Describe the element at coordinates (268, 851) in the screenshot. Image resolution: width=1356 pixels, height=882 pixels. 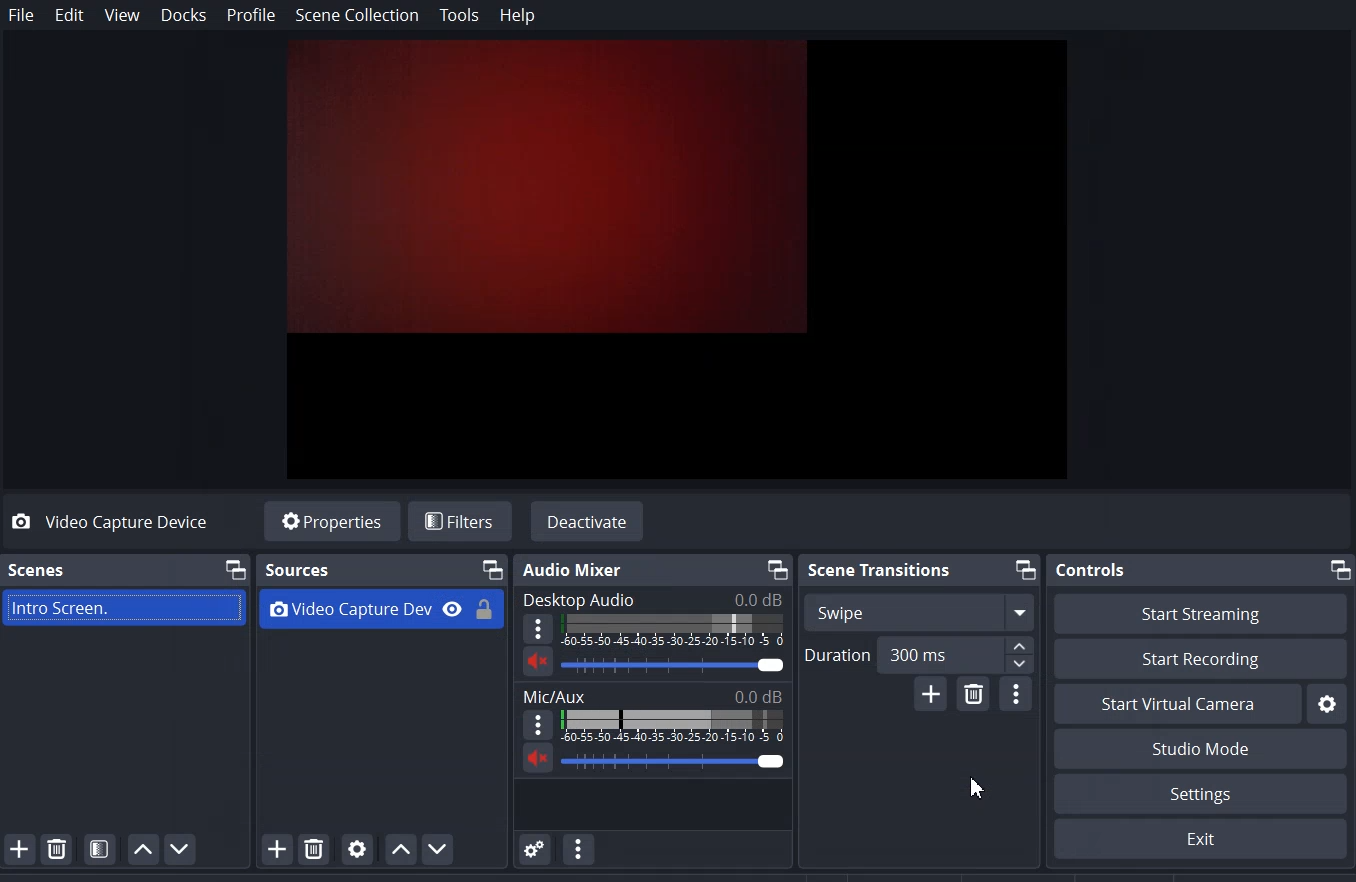
I see `Add Source` at that location.